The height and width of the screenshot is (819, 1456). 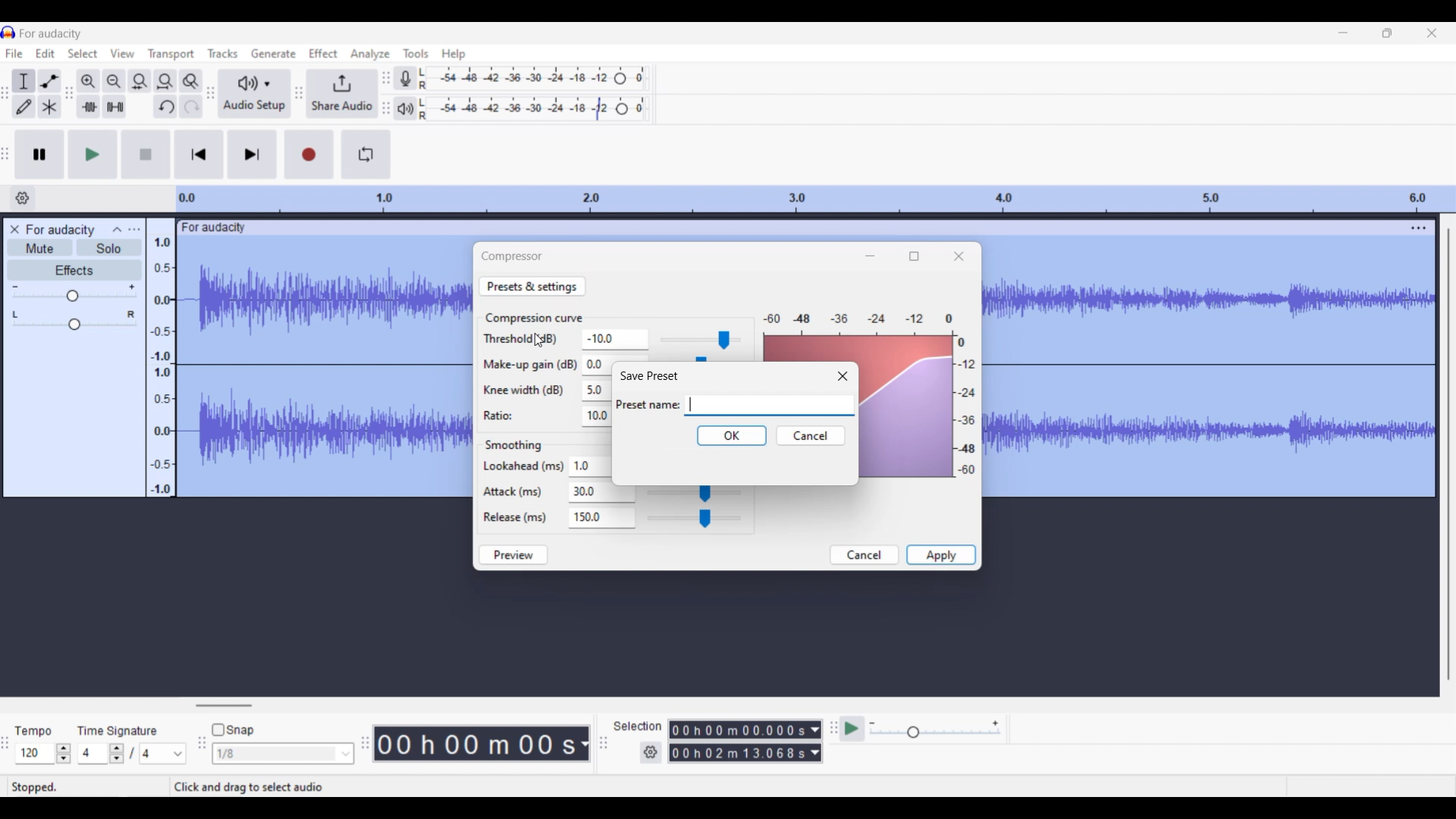 I want to click on Audio setup, so click(x=253, y=93).